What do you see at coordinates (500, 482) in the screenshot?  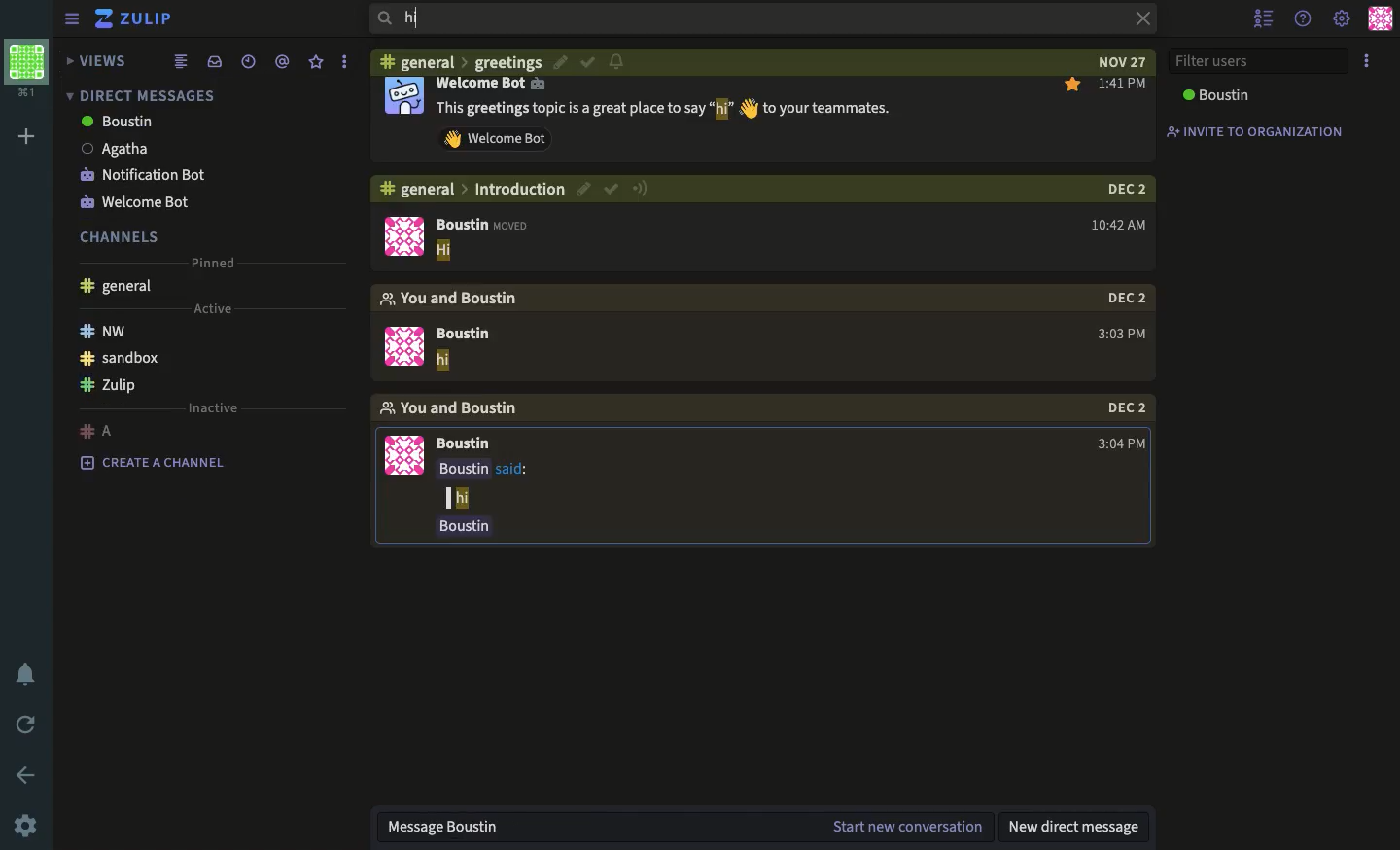 I see `Boustin said: Hi` at bounding box center [500, 482].